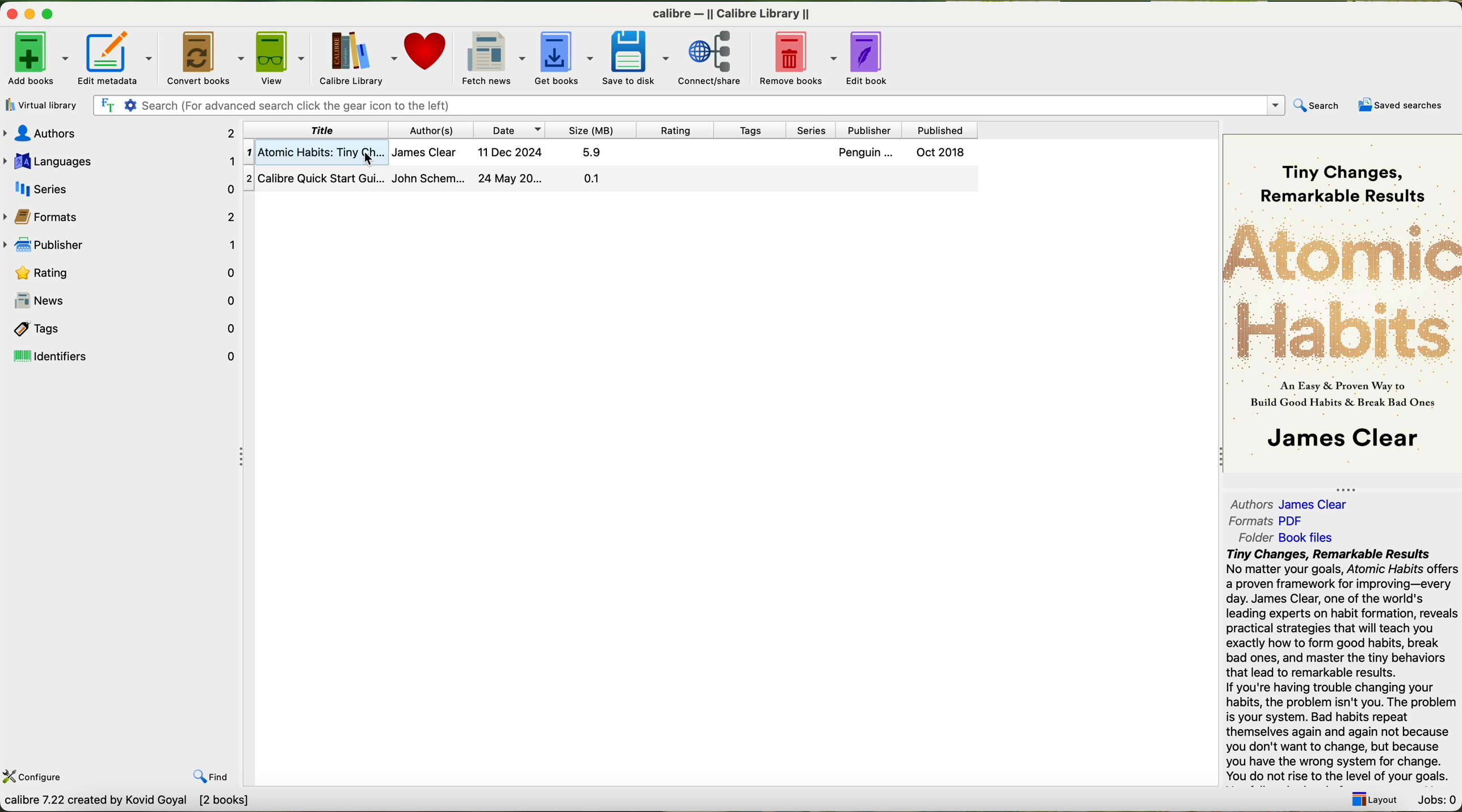 The height and width of the screenshot is (812, 1462). What do you see at coordinates (710, 58) in the screenshot?
I see `connect/share` at bounding box center [710, 58].